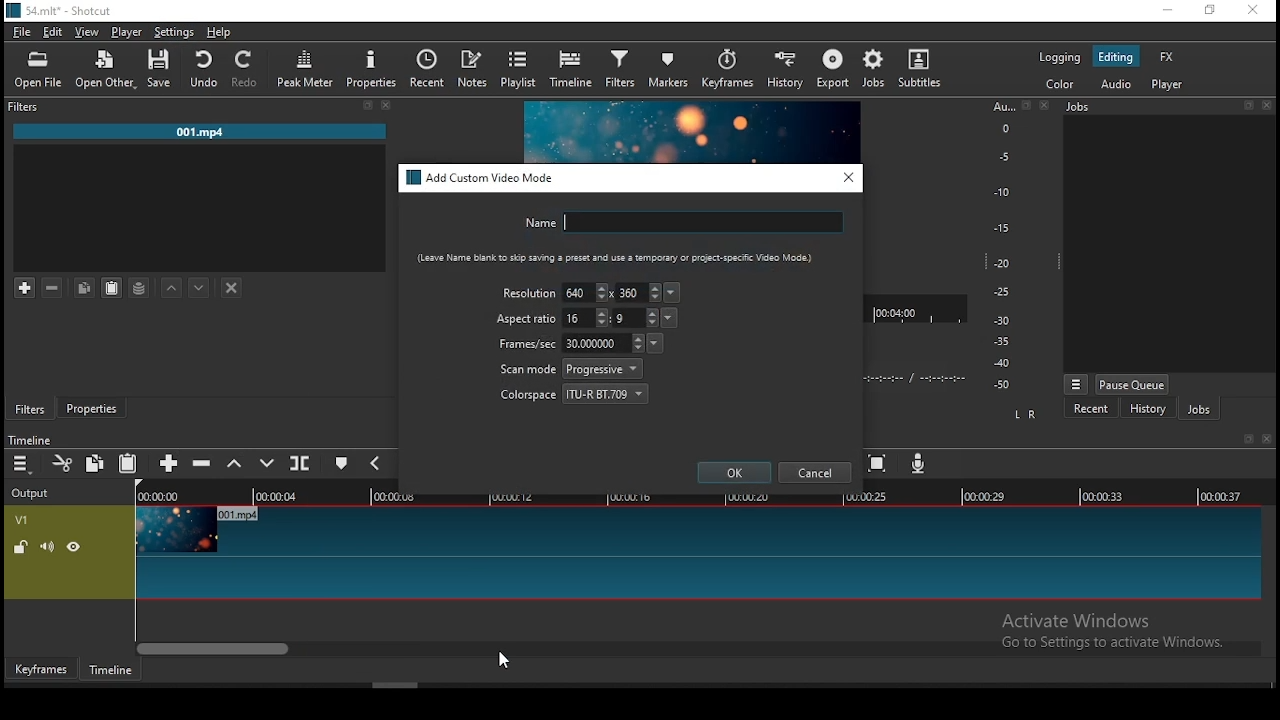 Image resolution: width=1280 pixels, height=720 pixels. What do you see at coordinates (696, 553) in the screenshot?
I see `video track` at bounding box center [696, 553].